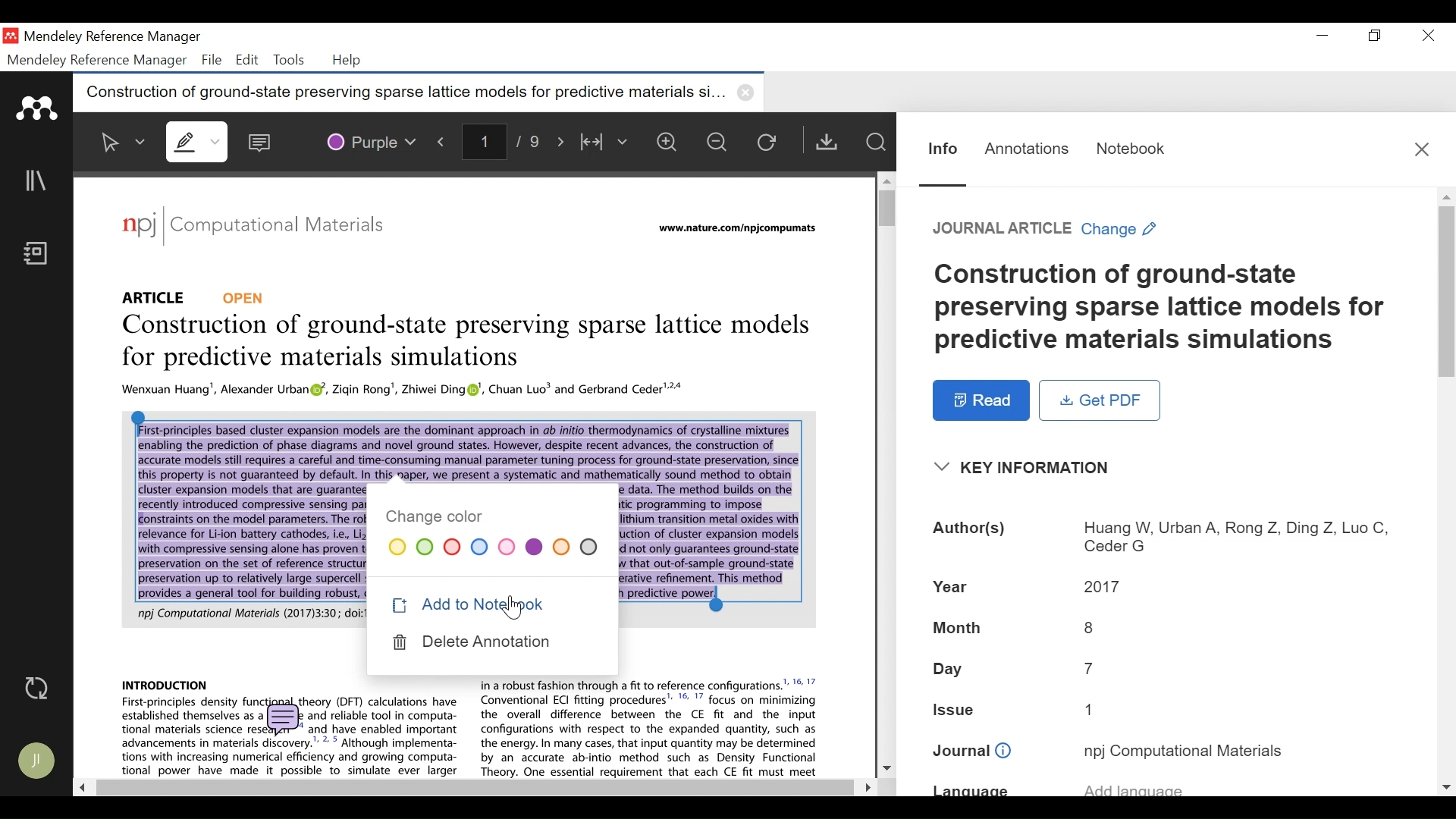  Describe the element at coordinates (442, 516) in the screenshot. I see `change color` at that location.